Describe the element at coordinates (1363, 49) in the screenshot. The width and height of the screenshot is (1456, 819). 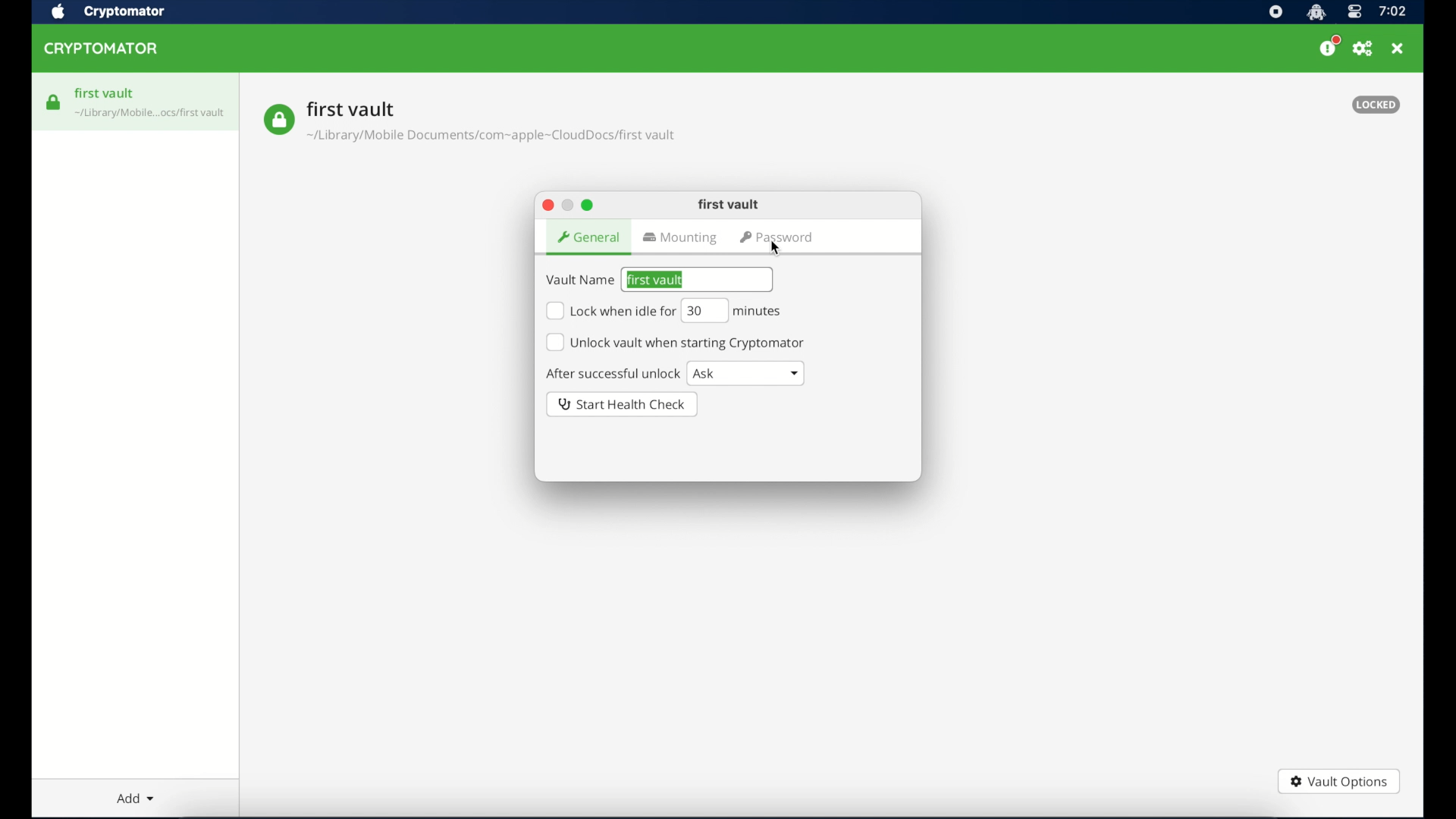
I see `preferences` at that location.